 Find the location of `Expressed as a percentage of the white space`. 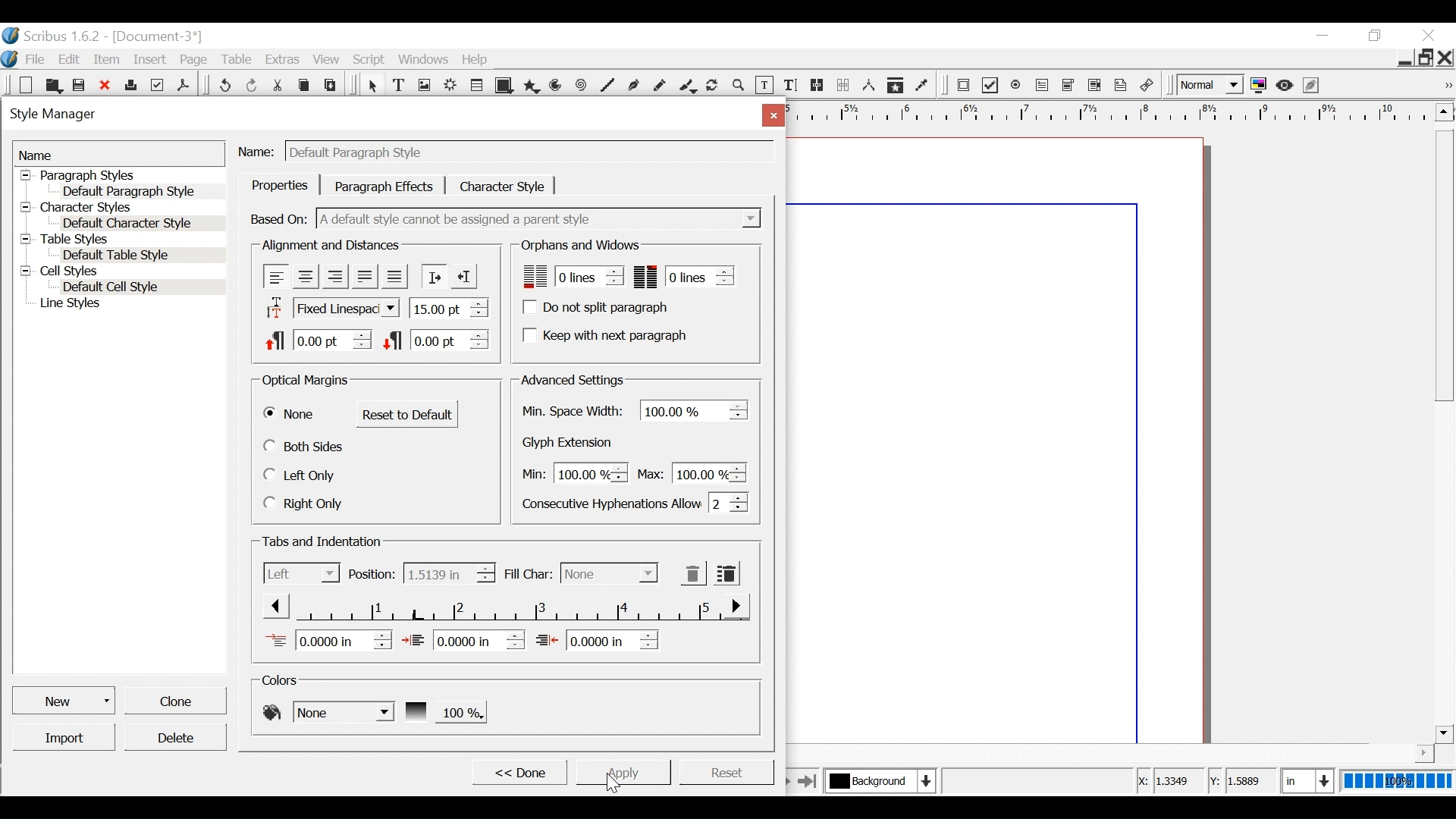

Expressed as a percentage of the white space is located at coordinates (695, 409).